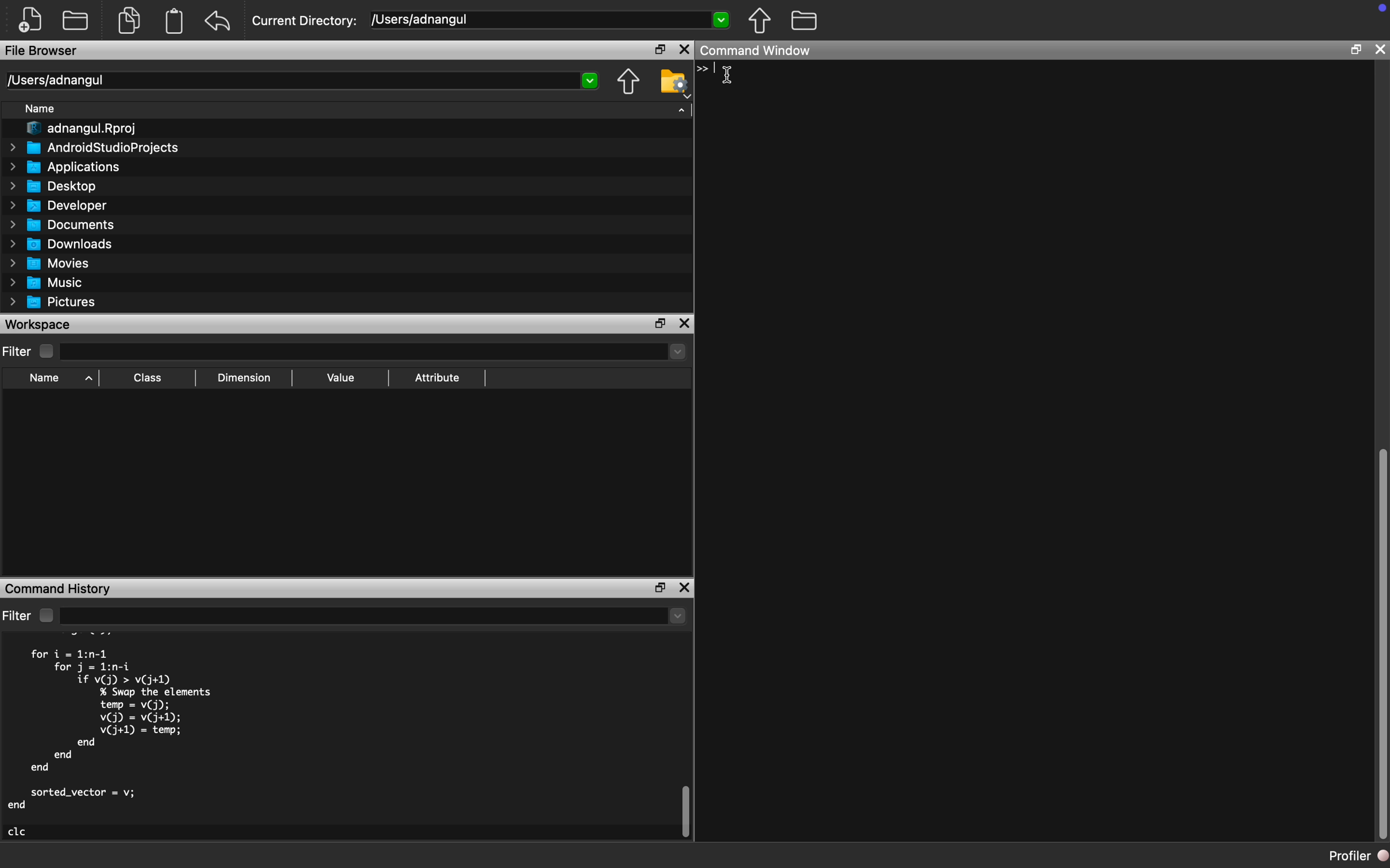 This screenshot has height=868, width=1390. I want to click on Restore Down, so click(660, 588).